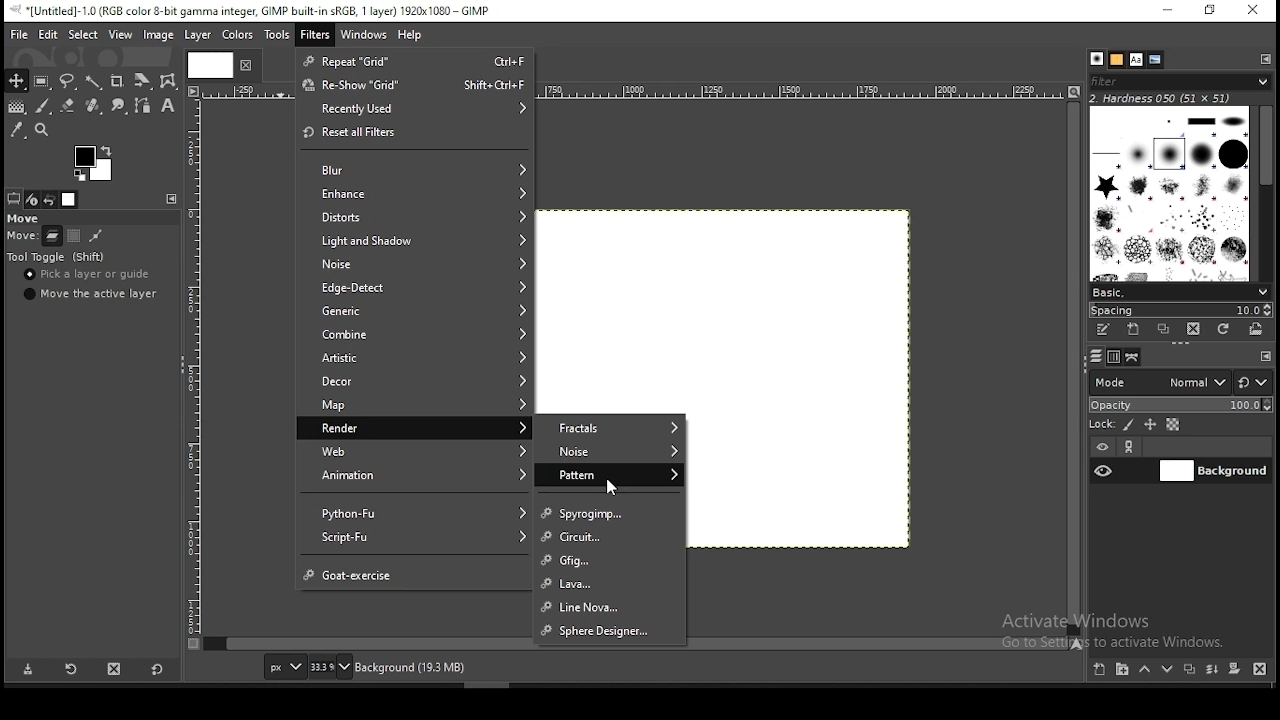 The width and height of the screenshot is (1280, 720). Describe the element at coordinates (122, 671) in the screenshot. I see `delete tool preset` at that location.